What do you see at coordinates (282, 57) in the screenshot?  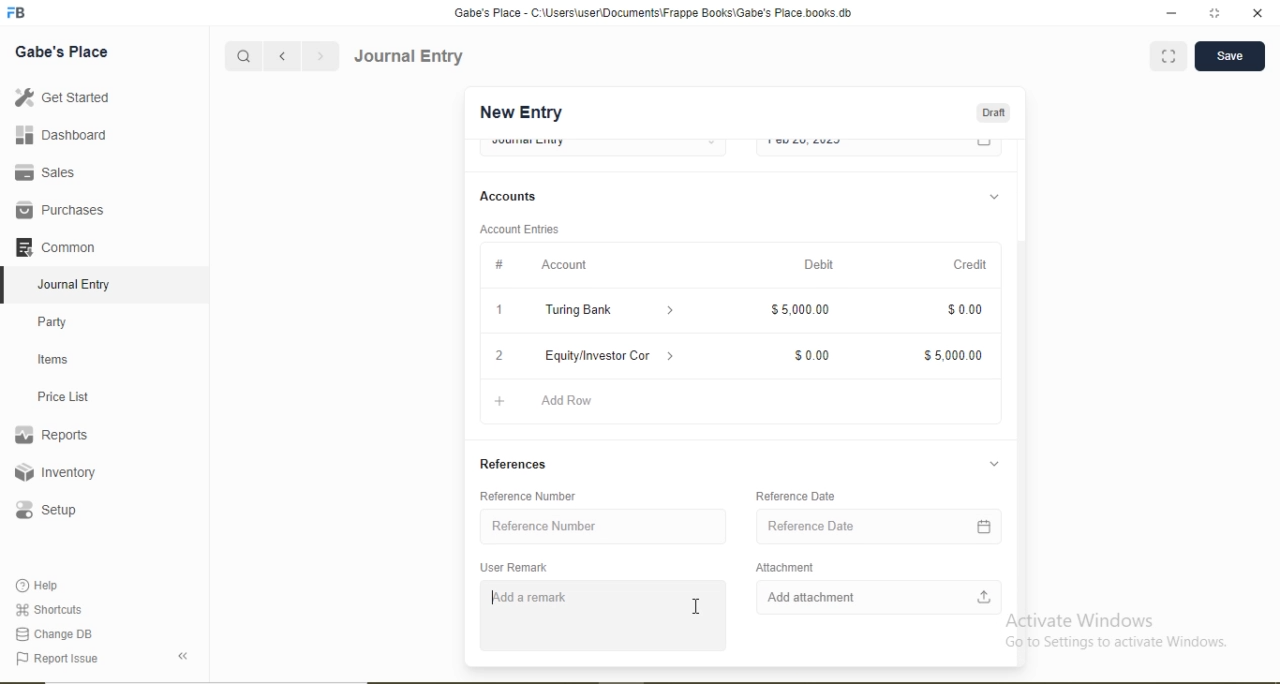 I see `Backward` at bounding box center [282, 57].